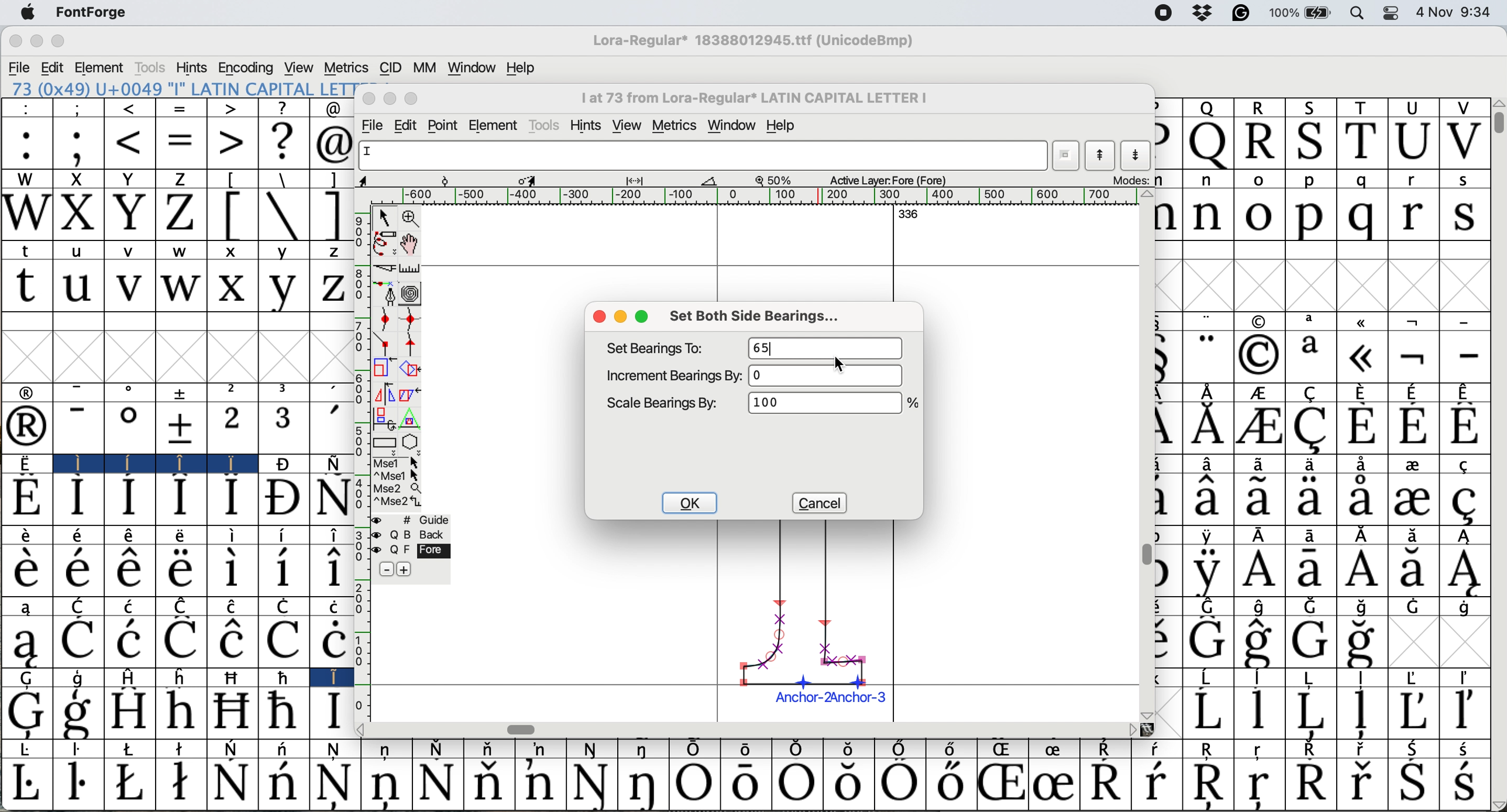 This screenshot has width=1507, height=812. What do you see at coordinates (763, 317) in the screenshot?
I see `set both side bearings` at bounding box center [763, 317].